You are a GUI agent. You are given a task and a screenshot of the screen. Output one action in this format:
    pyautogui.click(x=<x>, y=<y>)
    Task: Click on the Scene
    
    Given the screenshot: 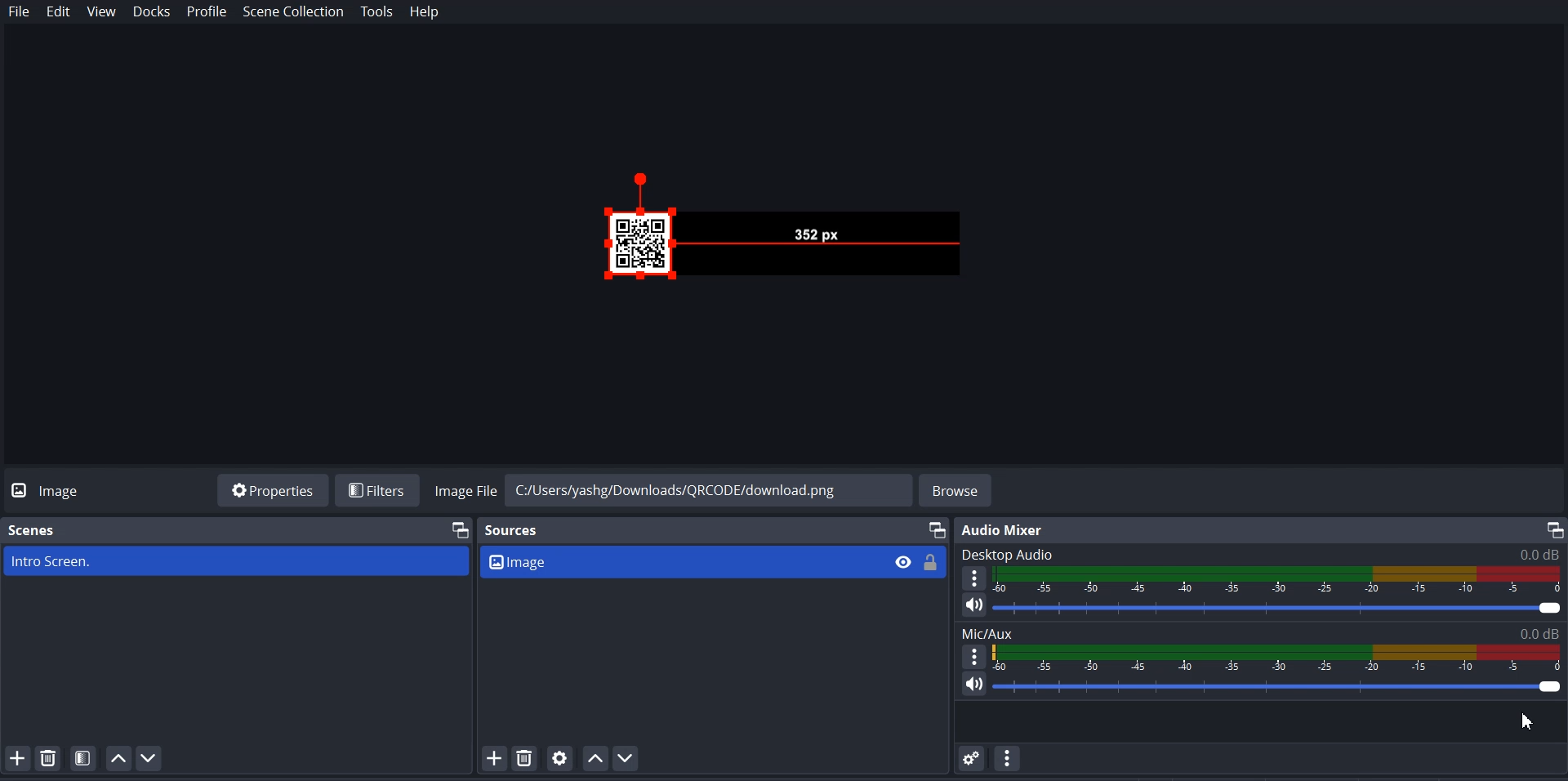 What is the action you would take?
    pyautogui.click(x=34, y=530)
    